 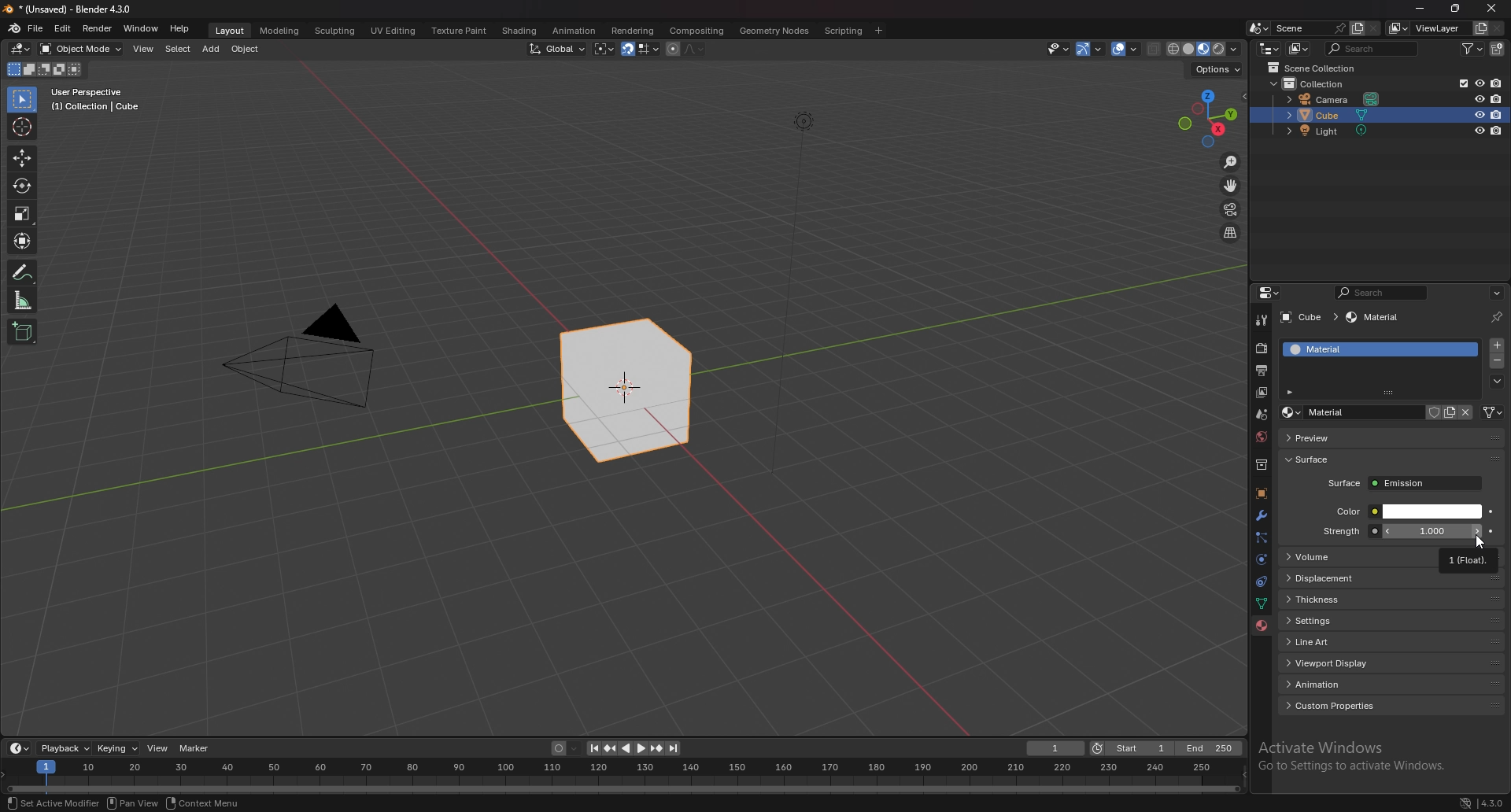 What do you see at coordinates (1432, 531) in the screenshot?
I see `strength` at bounding box center [1432, 531].